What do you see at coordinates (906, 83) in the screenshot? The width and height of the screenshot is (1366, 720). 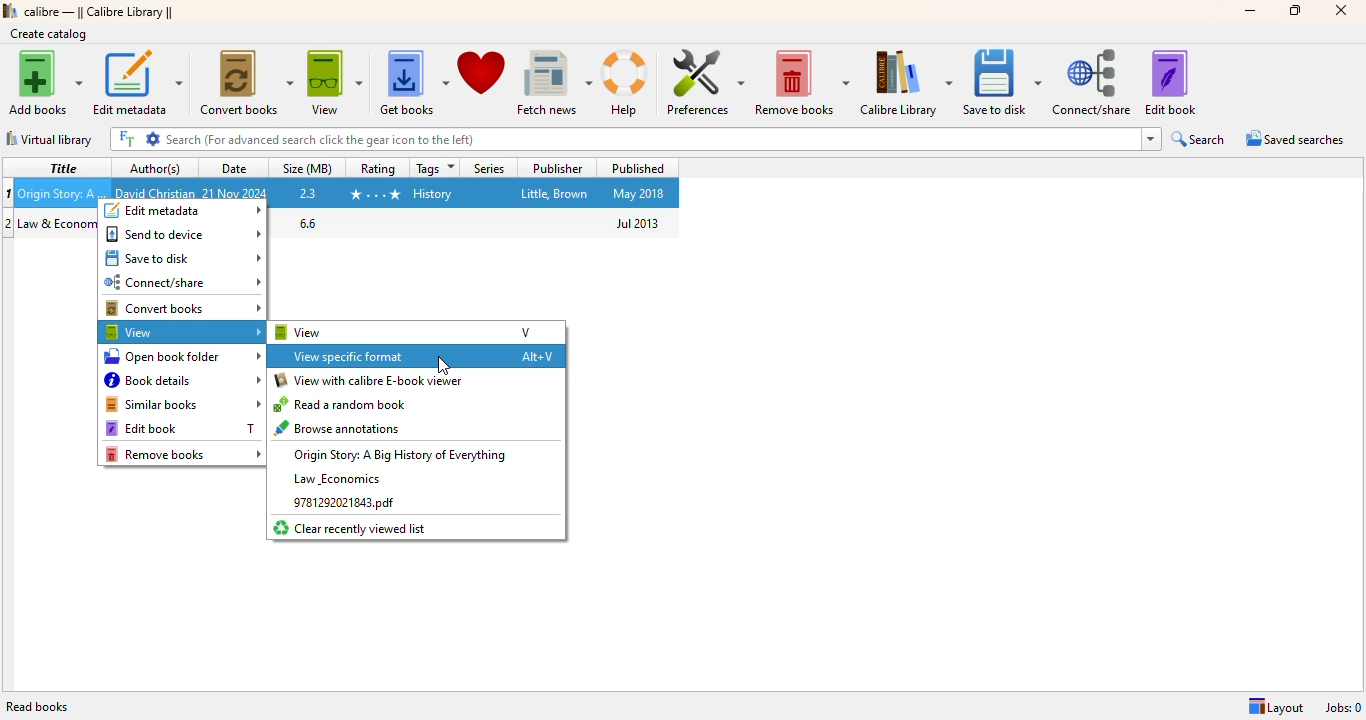 I see `calibre library` at bounding box center [906, 83].